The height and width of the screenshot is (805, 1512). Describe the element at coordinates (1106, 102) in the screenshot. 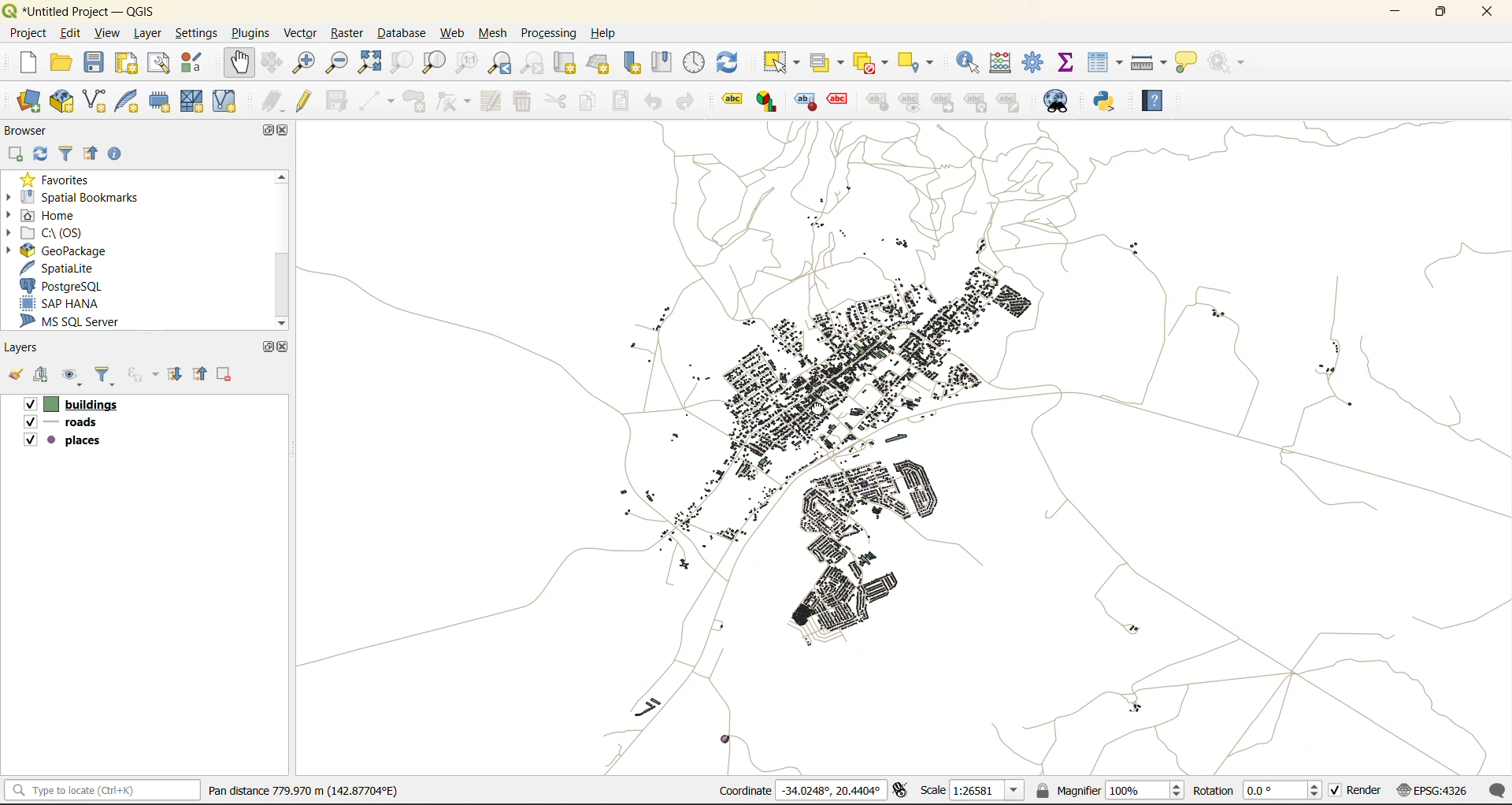

I see `python` at that location.